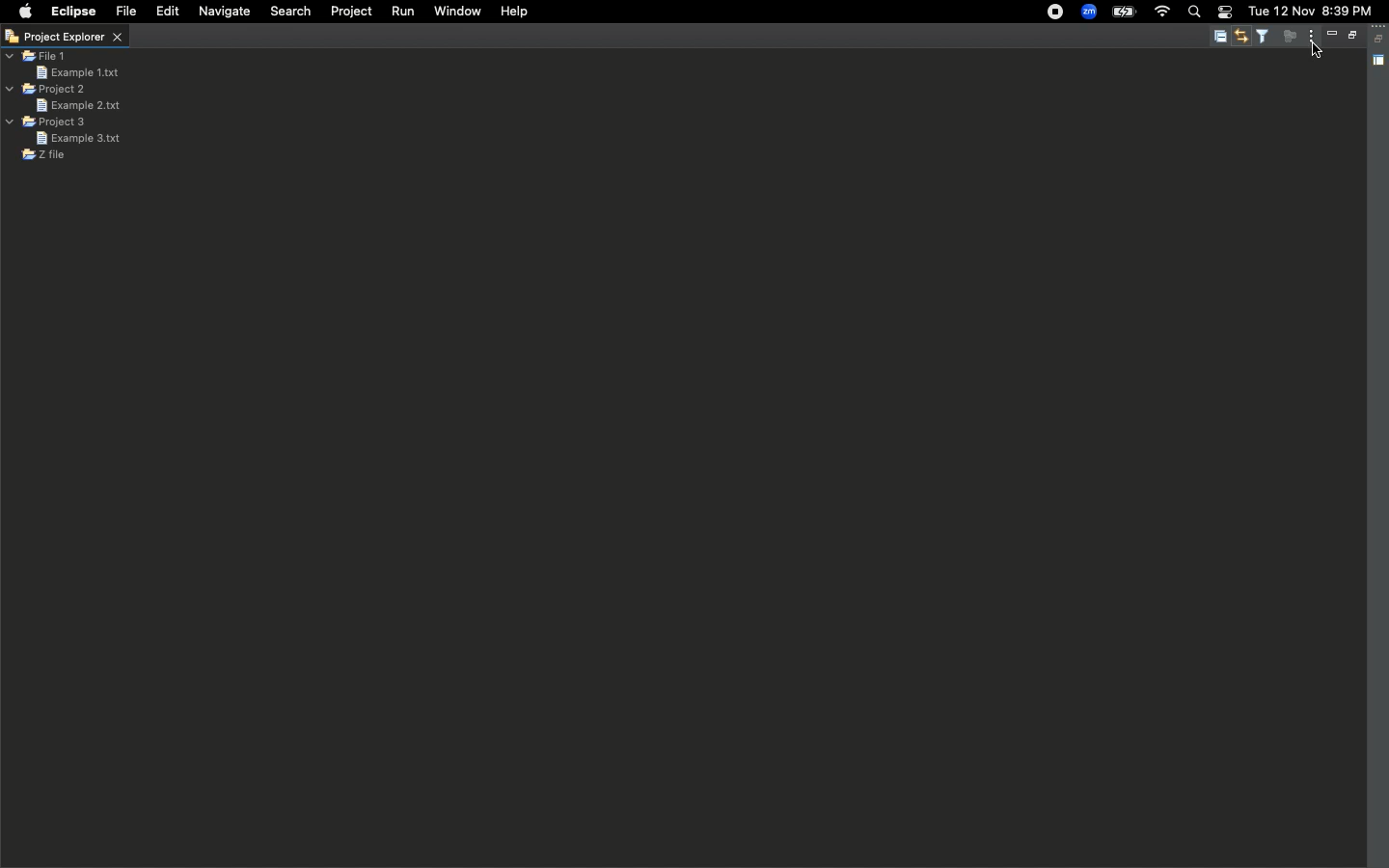  Describe the element at coordinates (1266, 36) in the screenshot. I see `Select and deselect filters ` at that location.